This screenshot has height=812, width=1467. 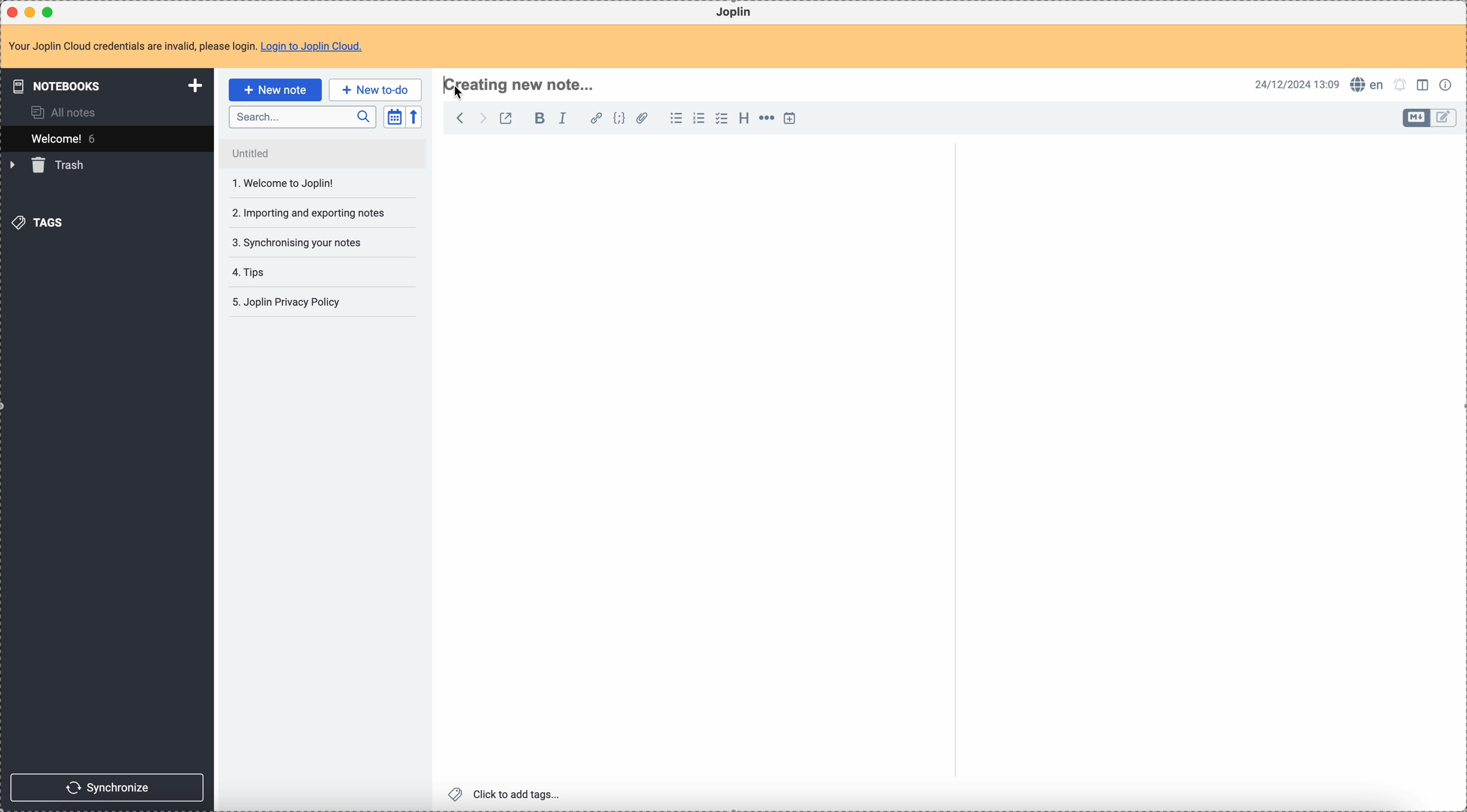 What do you see at coordinates (40, 222) in the screenshot?
I see `tags` at bounding box center [40, 222].